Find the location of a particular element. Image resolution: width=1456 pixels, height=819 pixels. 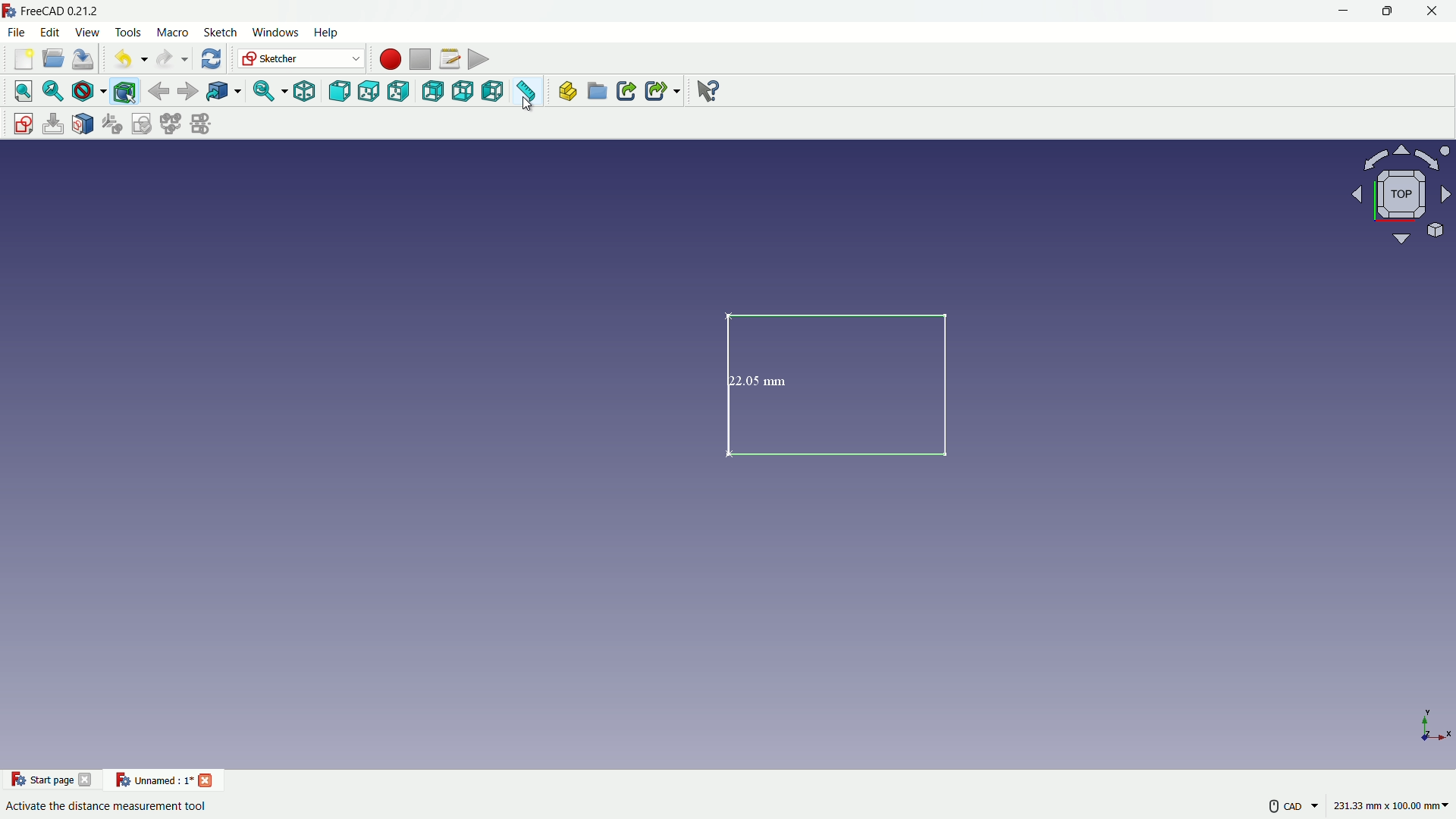

close start page is located at coordinates (87, 783).